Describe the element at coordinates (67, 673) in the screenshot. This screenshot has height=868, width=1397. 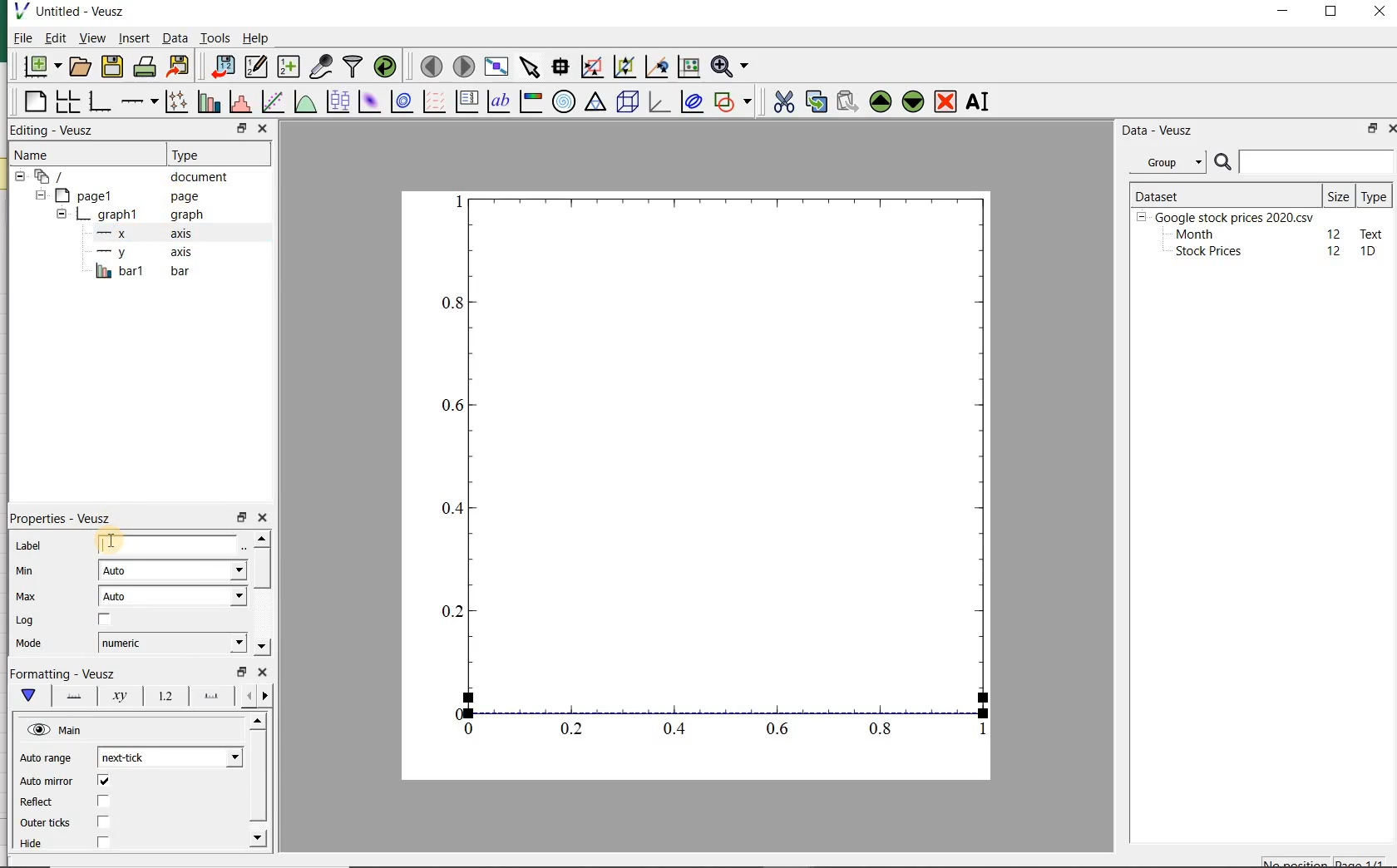
I see `Formatting - Veusz` at that location.